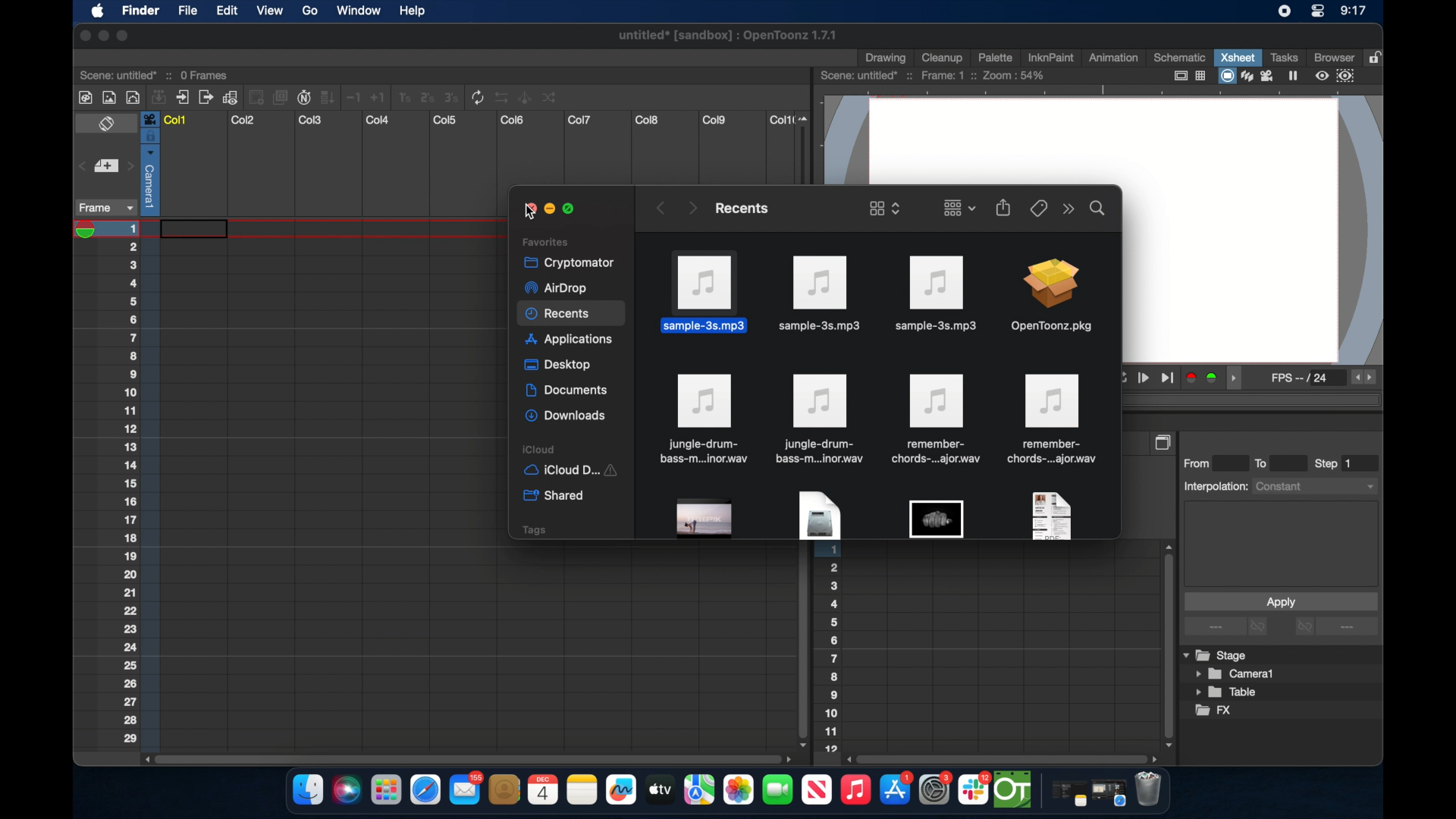 Image resolution: width=1456 pixels, height=819 pixels. What do you see at coordinates (1284, 11) in the screenshot?
I see `screen recorder icon` at bounding box center [1284, 11].